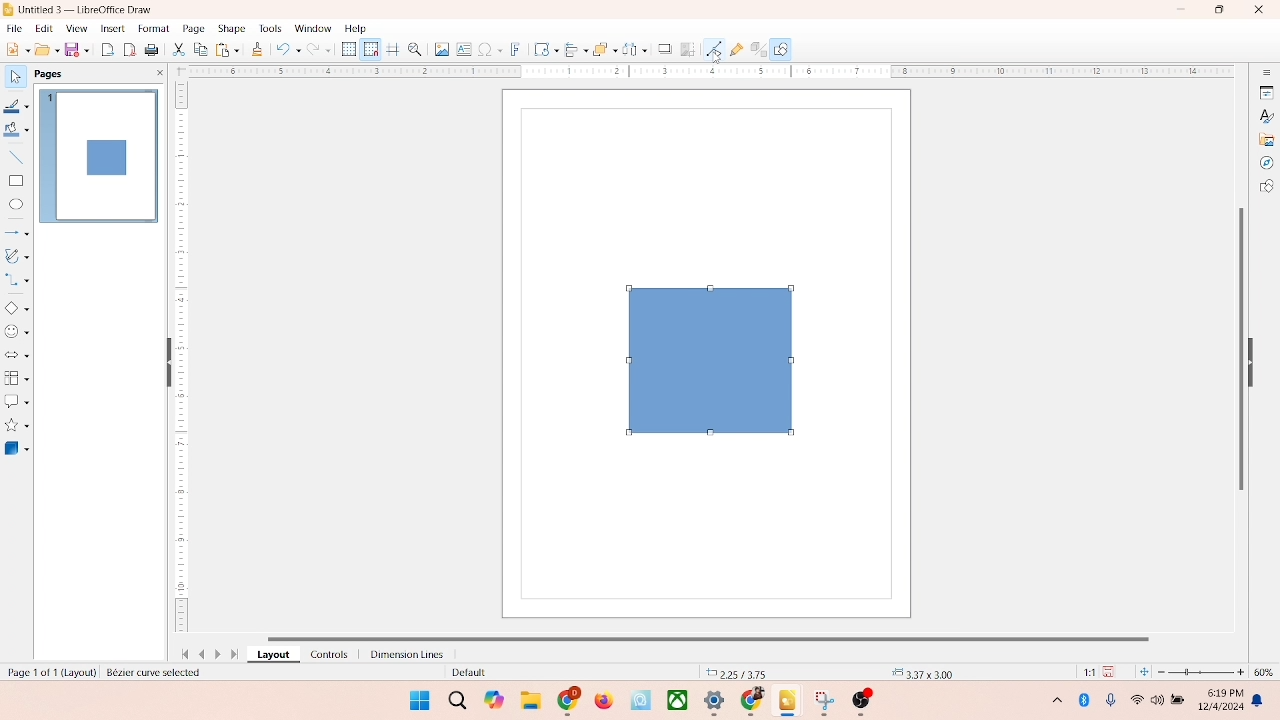 The image size is (1280, 720). Describe the element at coordinates (599, 47) in the screenshot. I see `arrange` at that location.